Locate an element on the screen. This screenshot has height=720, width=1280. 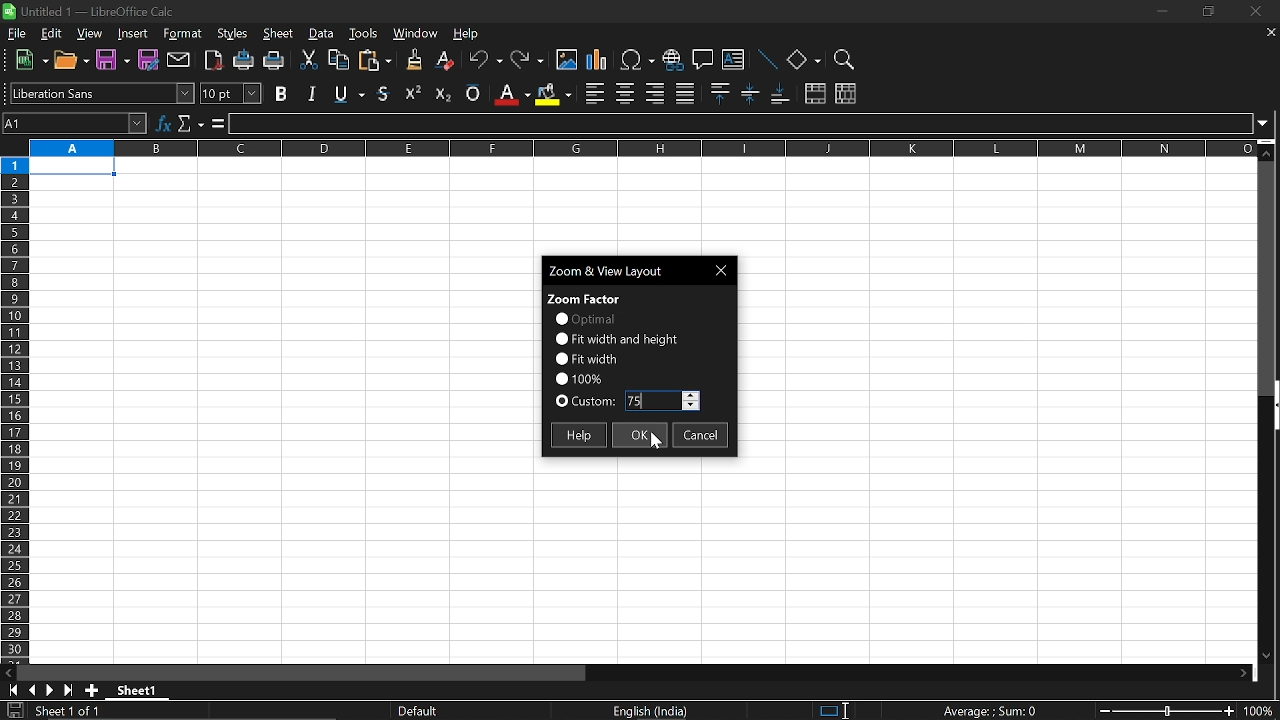
paste is located at coordinates (374, 62).